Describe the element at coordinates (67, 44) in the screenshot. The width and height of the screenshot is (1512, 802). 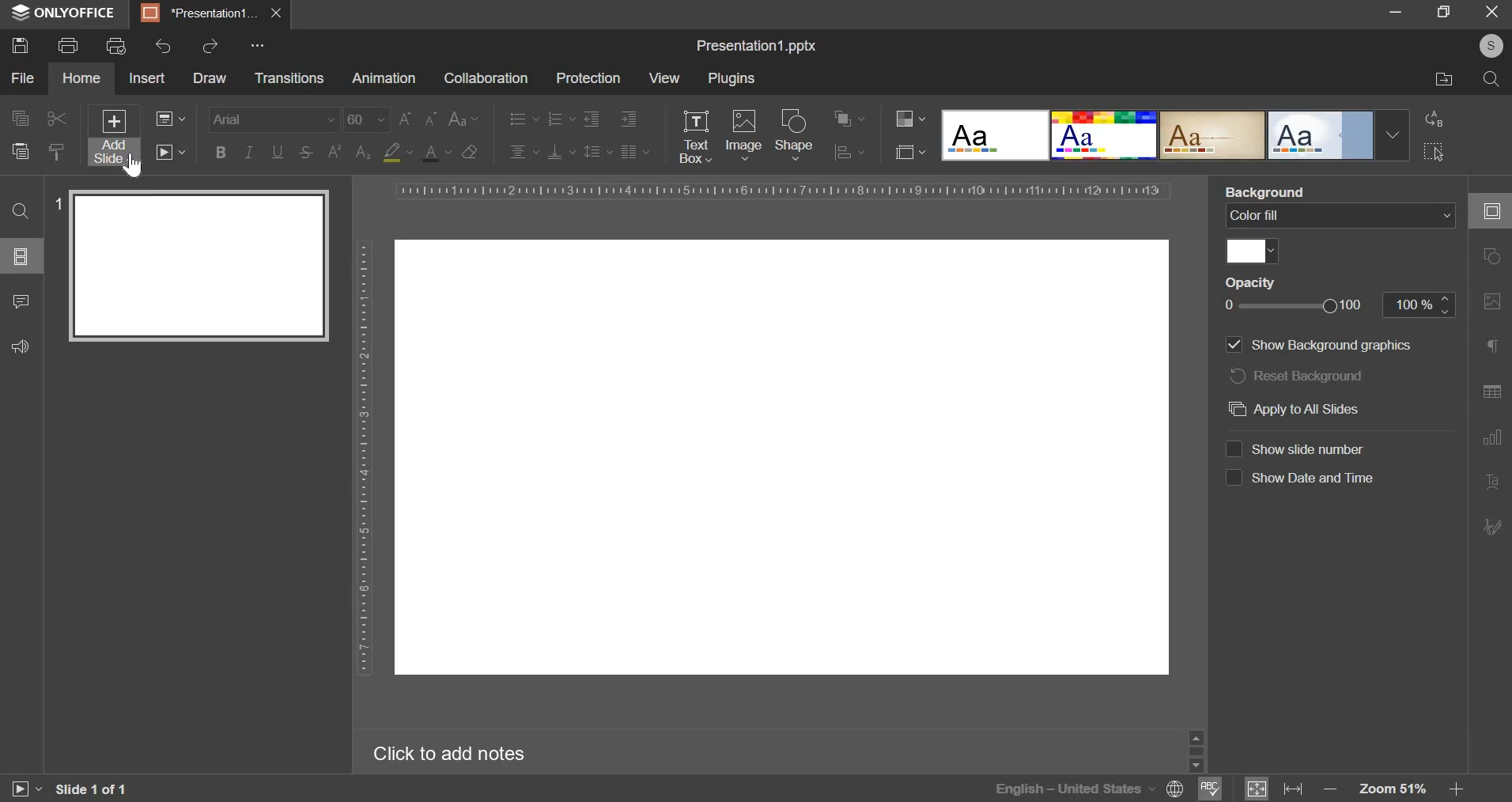
I see `print` at that location.